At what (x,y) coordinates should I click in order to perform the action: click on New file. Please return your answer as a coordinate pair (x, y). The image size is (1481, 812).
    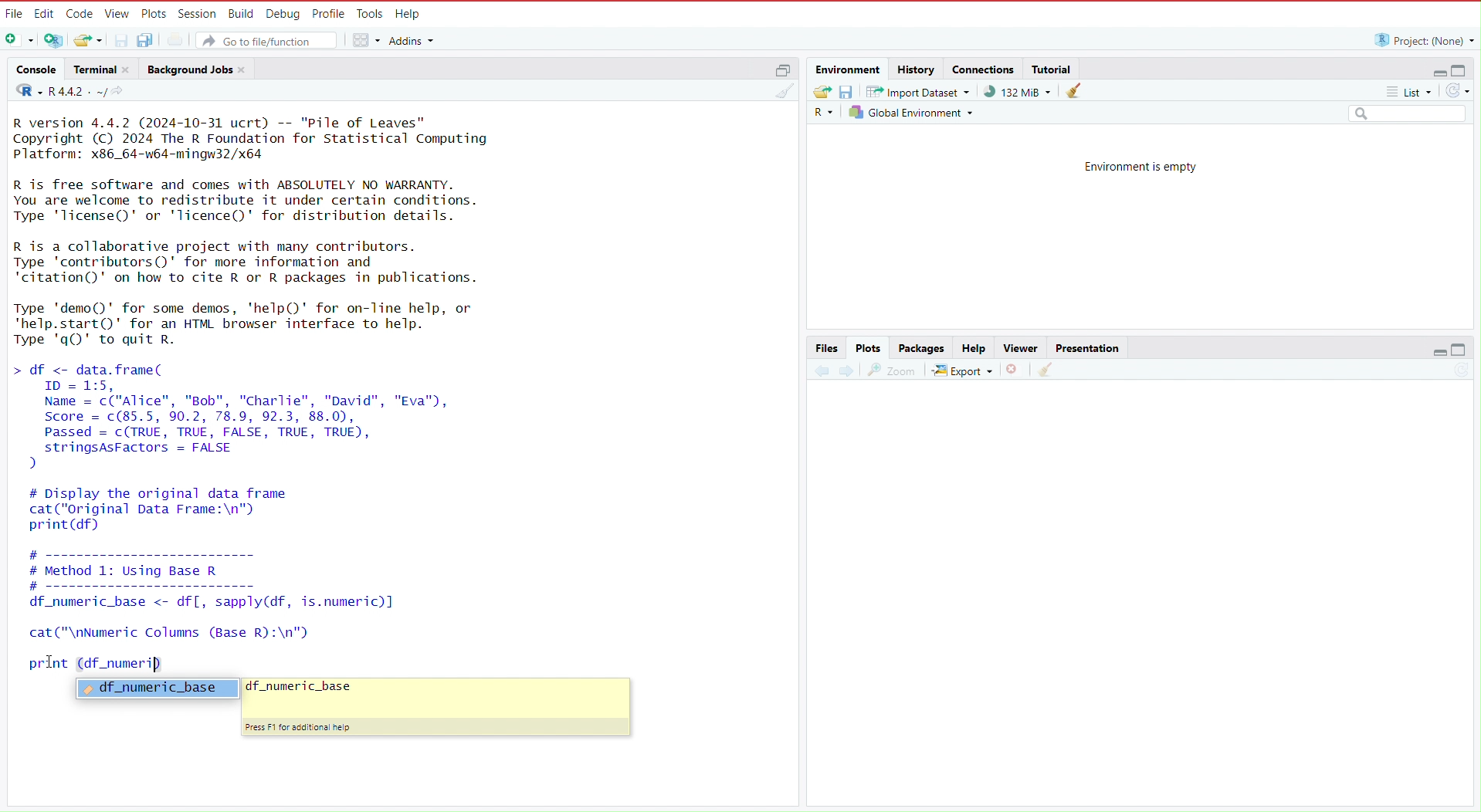
    Looking at the image, I should click on (19, 39).